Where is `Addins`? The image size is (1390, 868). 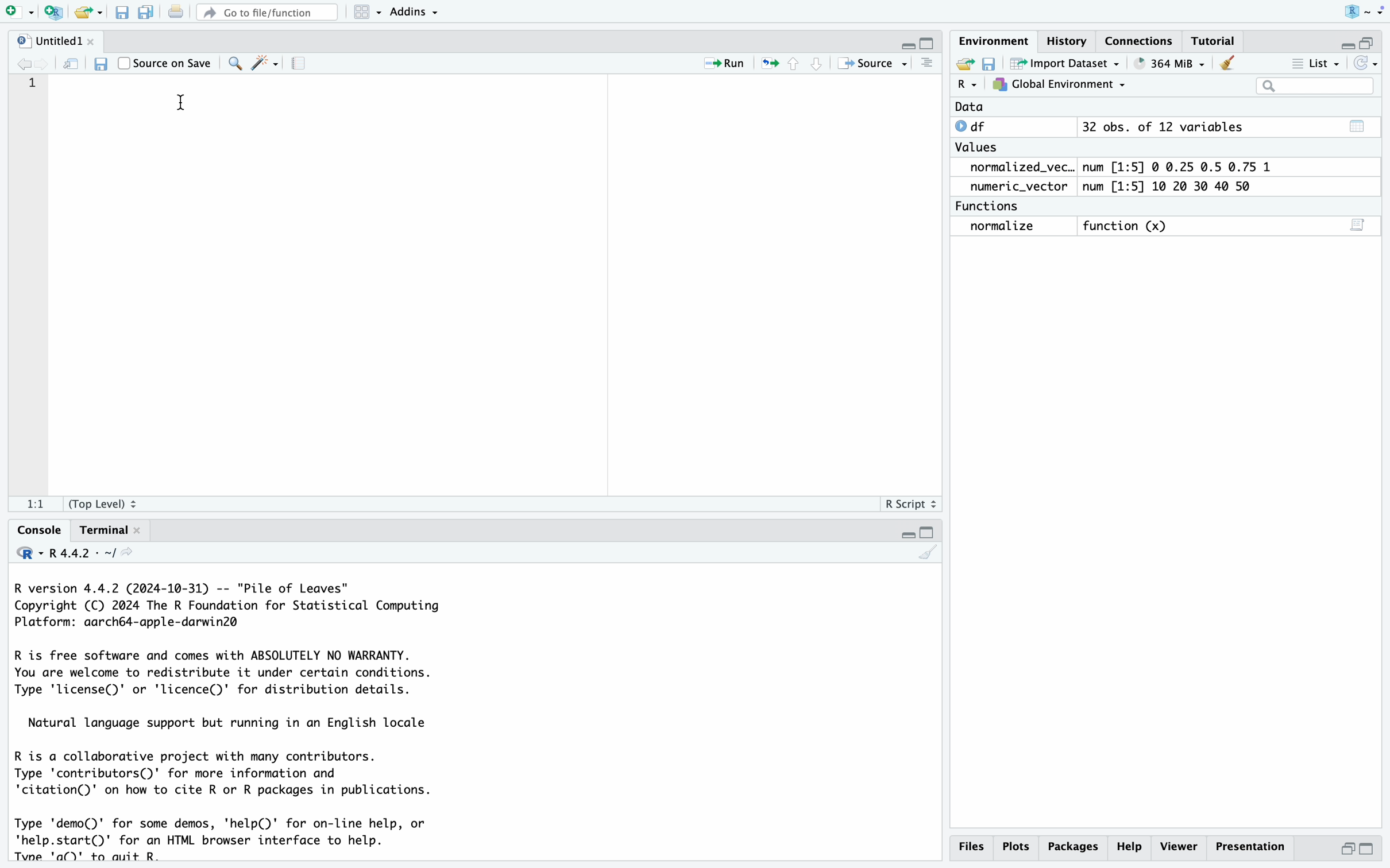
Addins is located at coordinates (415, 11).